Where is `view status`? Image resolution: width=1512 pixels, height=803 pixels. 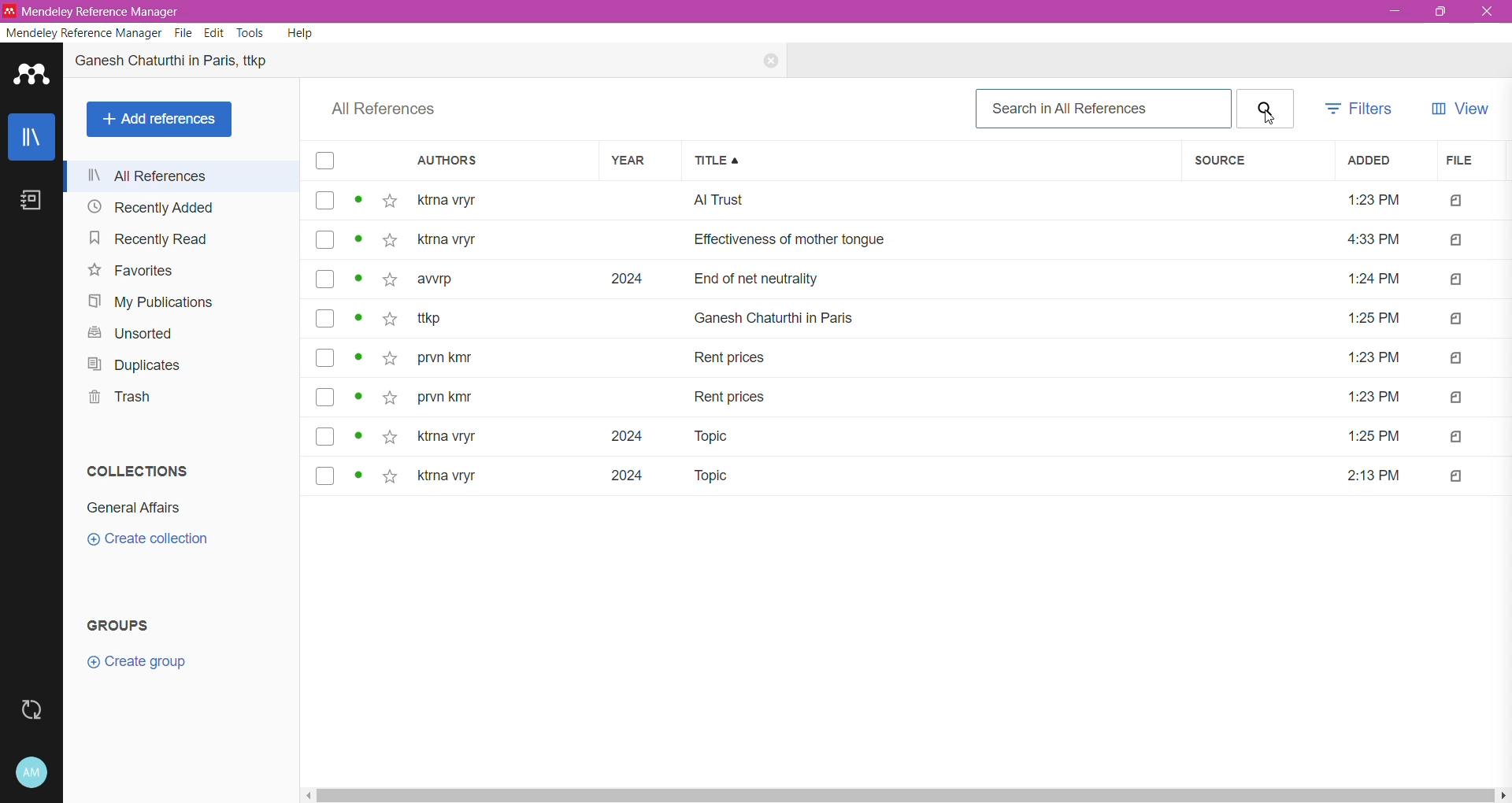 view status is located at coordinates (360, 318).